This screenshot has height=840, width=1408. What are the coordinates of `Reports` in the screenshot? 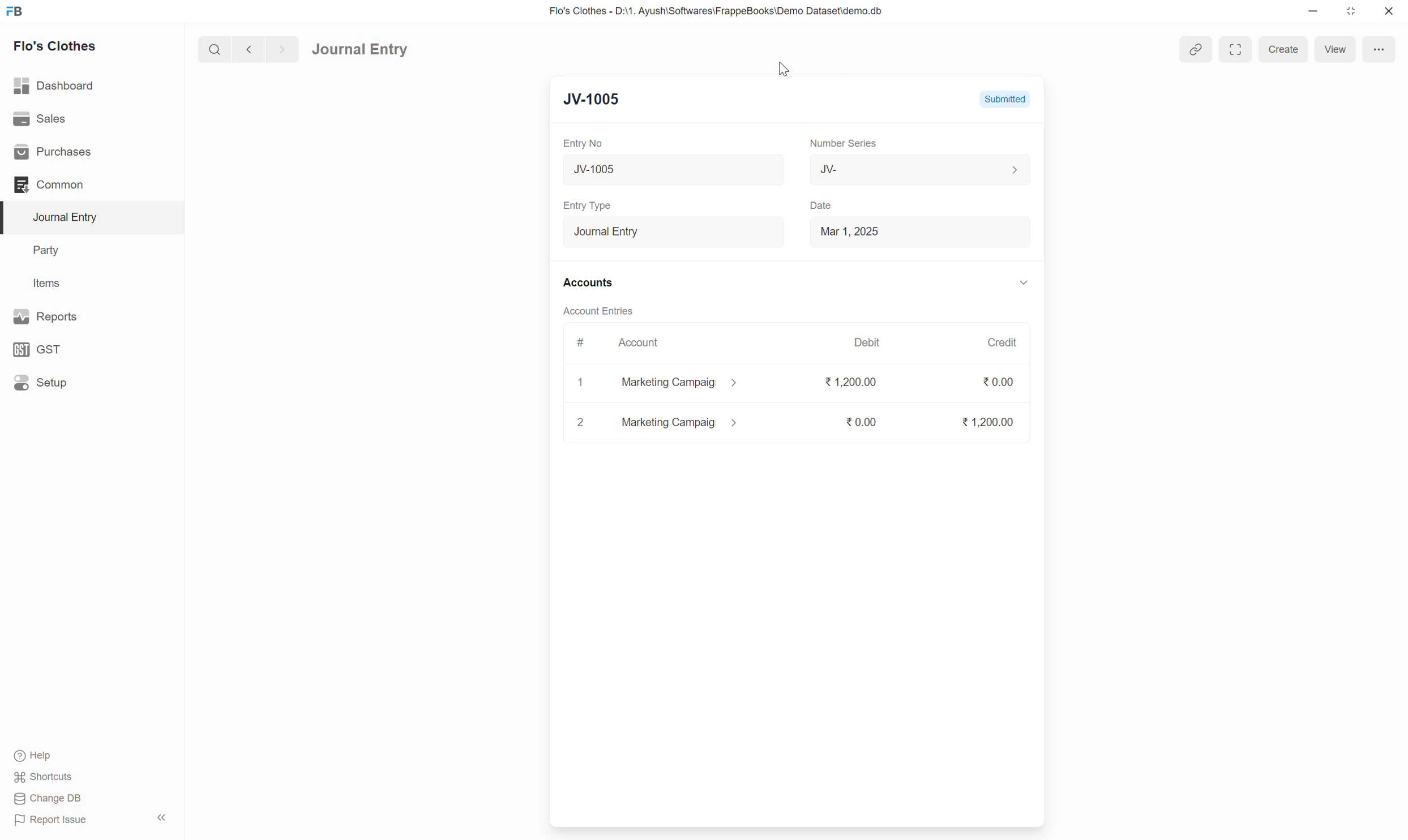 It's located at (49, 316).